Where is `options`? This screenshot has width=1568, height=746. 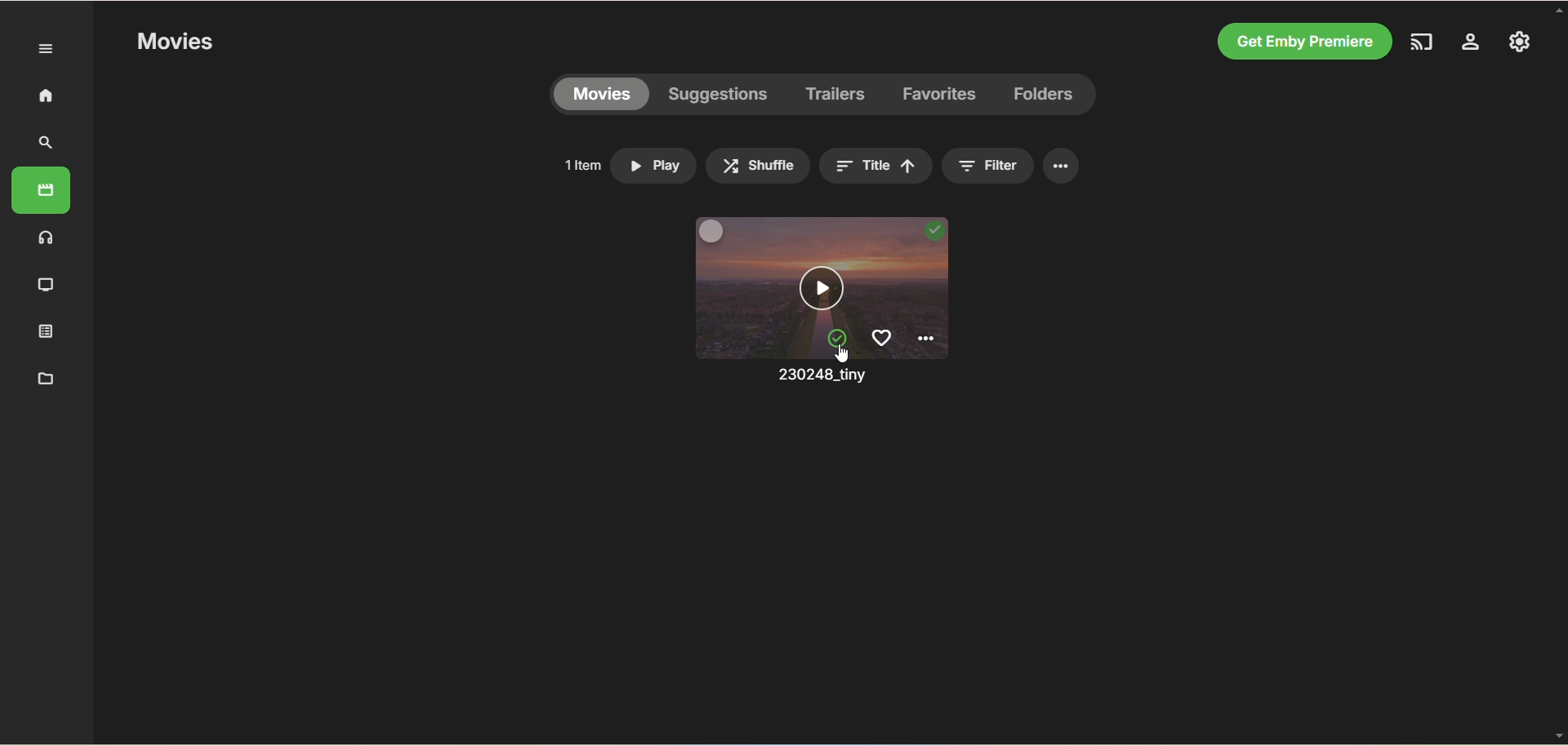 options is located at coordinates (930, 340).